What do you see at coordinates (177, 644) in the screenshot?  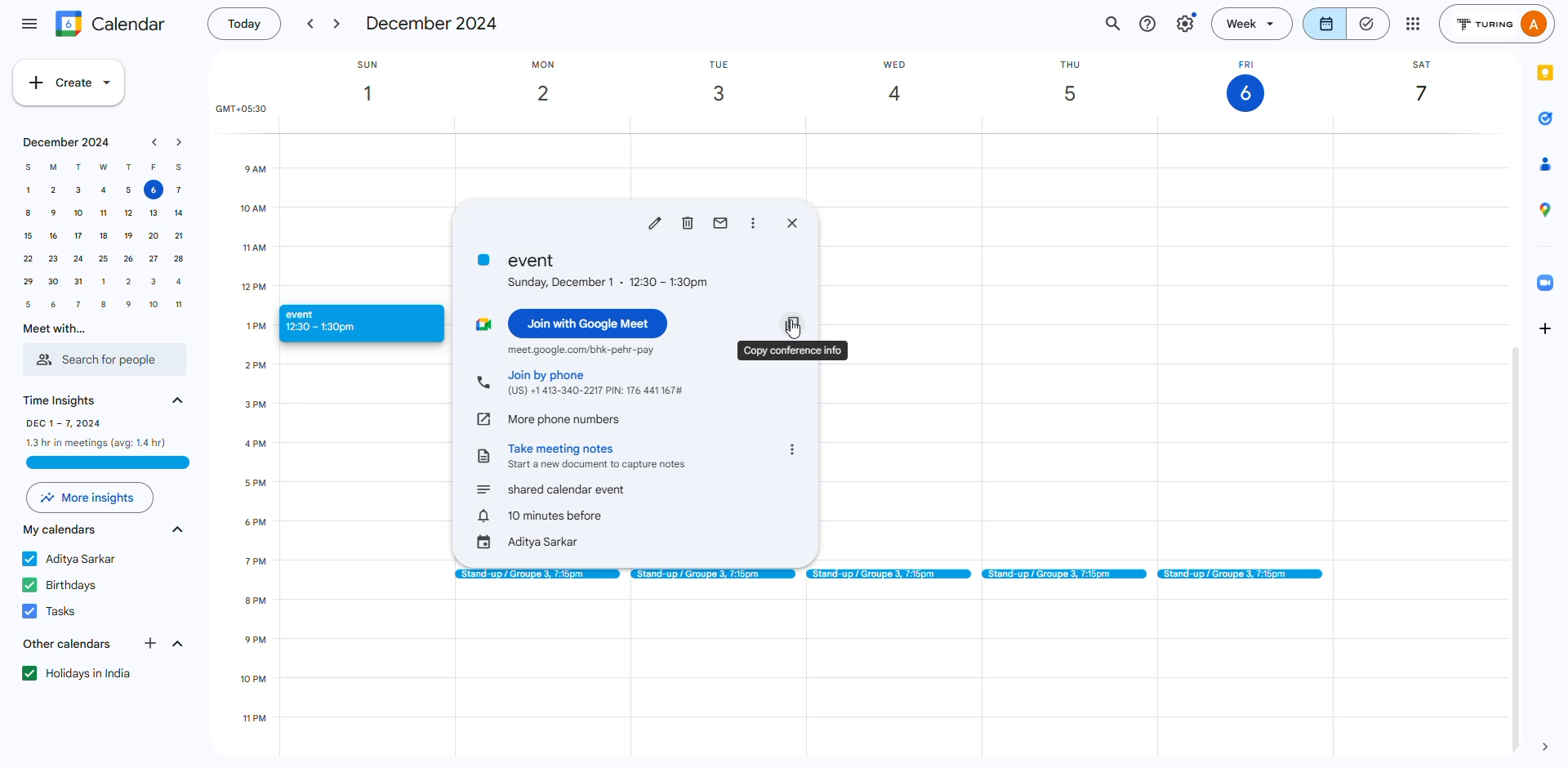 I see `collapse` at bounding box center [177, 644].